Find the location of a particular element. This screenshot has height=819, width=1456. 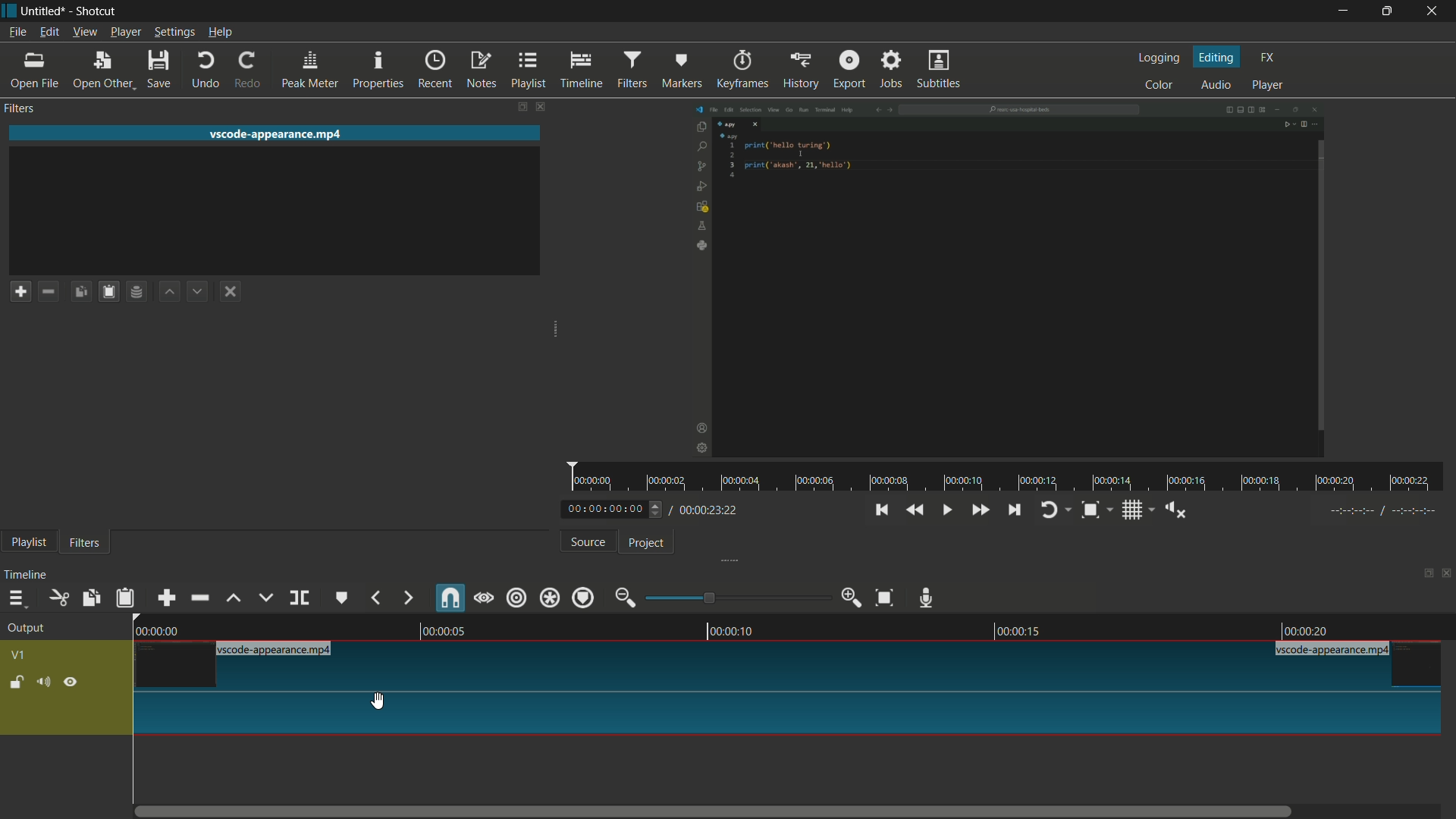

maximize is located at coordinates (1385, 11).